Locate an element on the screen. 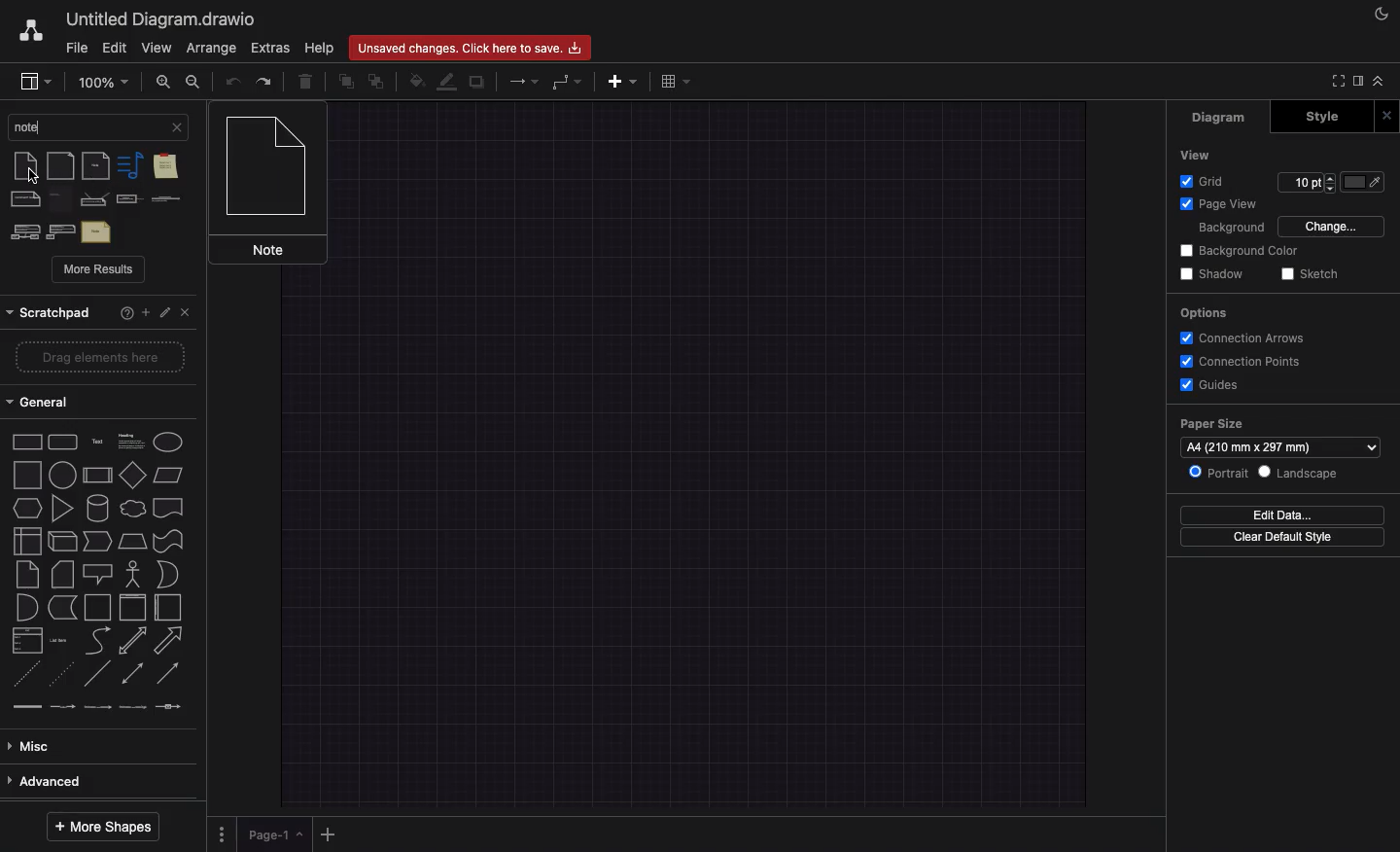 The image size is (1400, 852). More shapes is located at coordinates (110, 828).